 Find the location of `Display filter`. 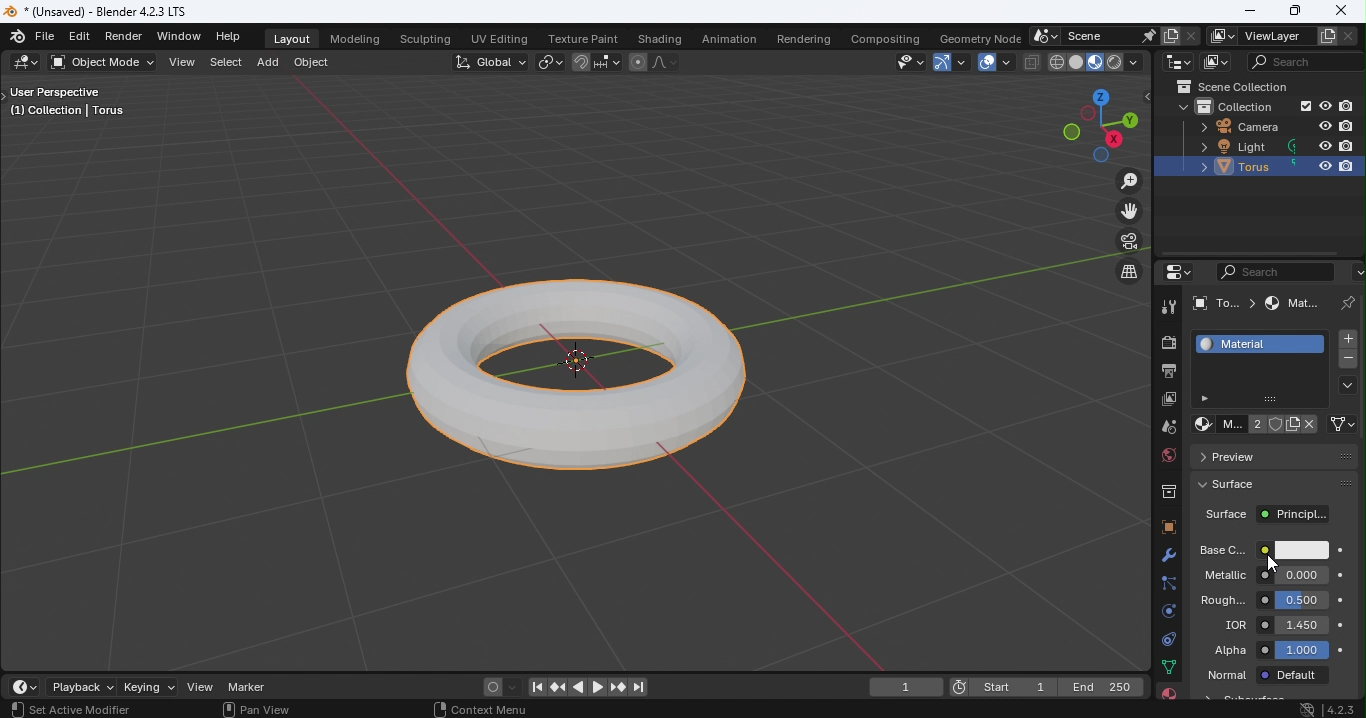

Display filter is located at coordinates (1306, 61).